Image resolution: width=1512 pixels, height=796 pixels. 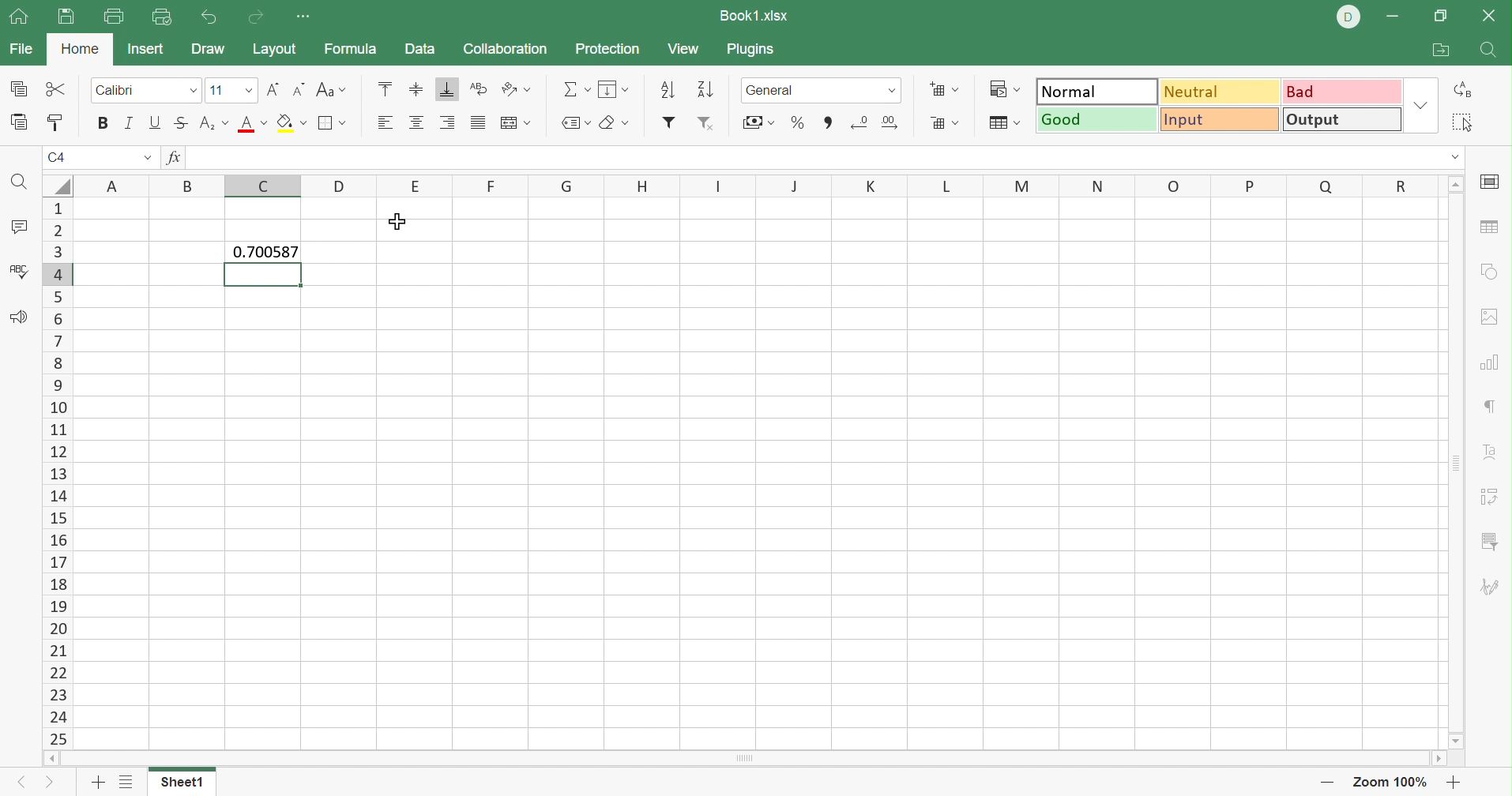 I want to click on Decrement font size, so click(x=296, y=90).